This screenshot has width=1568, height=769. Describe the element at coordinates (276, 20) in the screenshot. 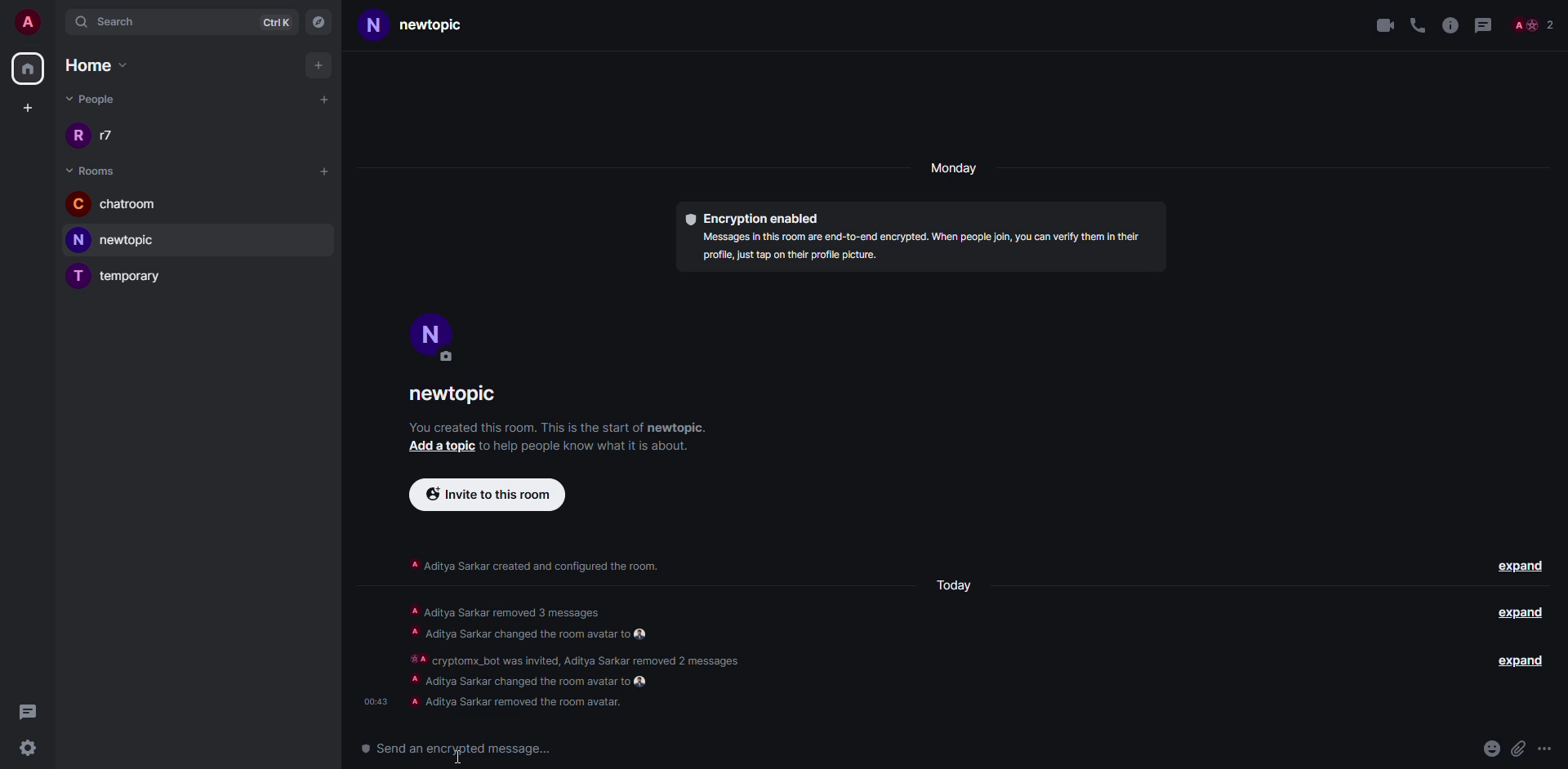

I see `ctrlK` at that location.